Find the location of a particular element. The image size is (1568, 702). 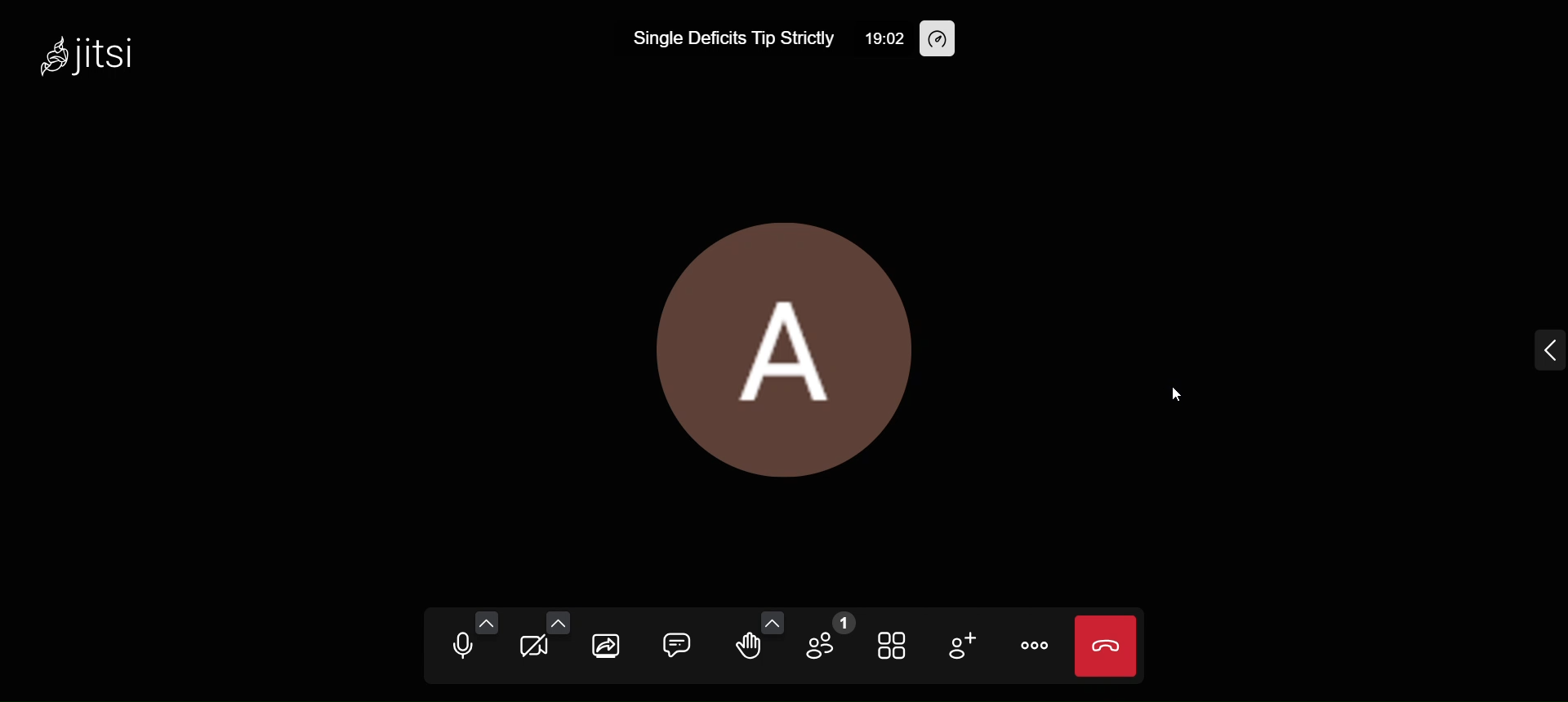

cursor is located at coordinates (1172, 393).